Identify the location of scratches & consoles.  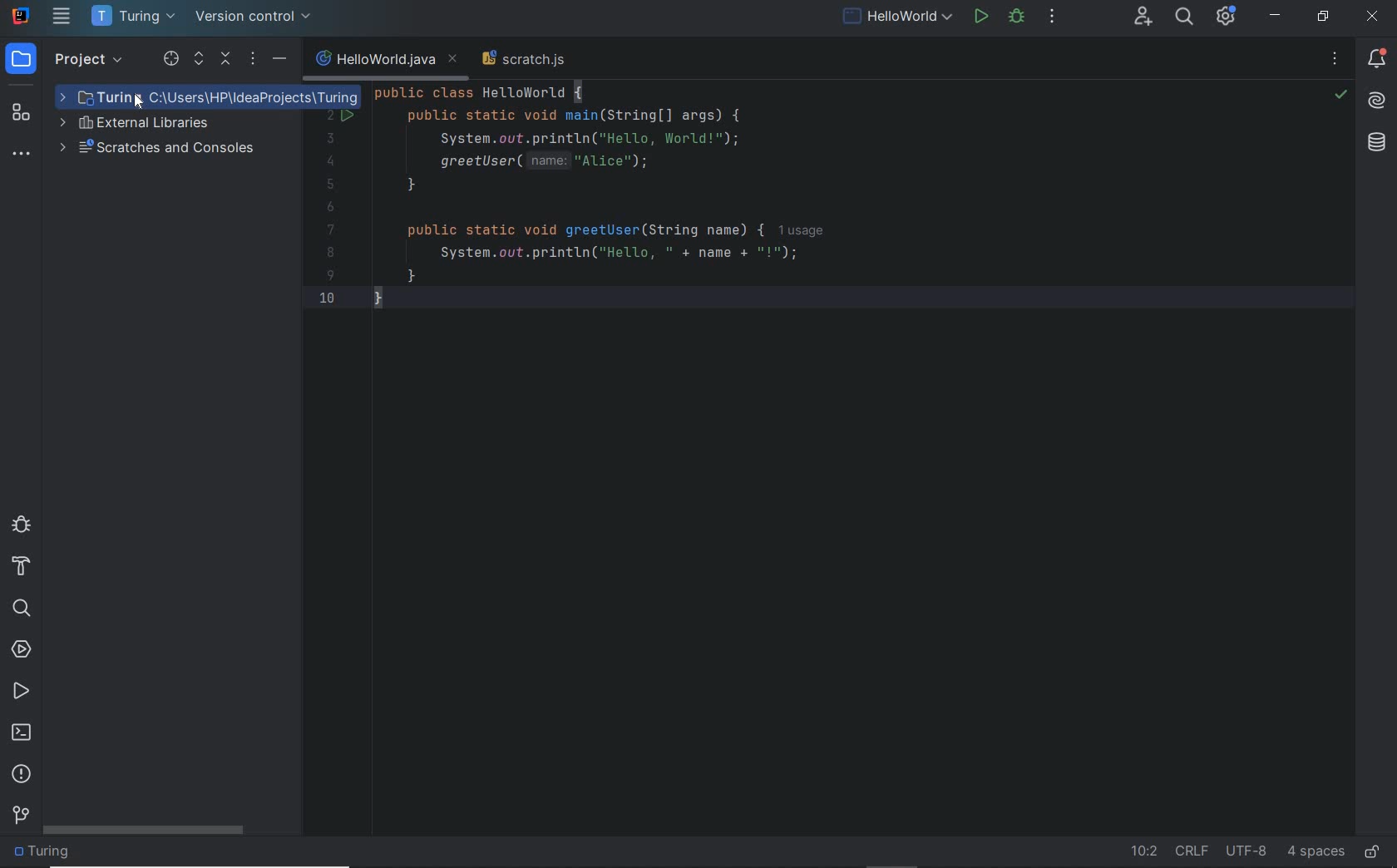
(165, 149).